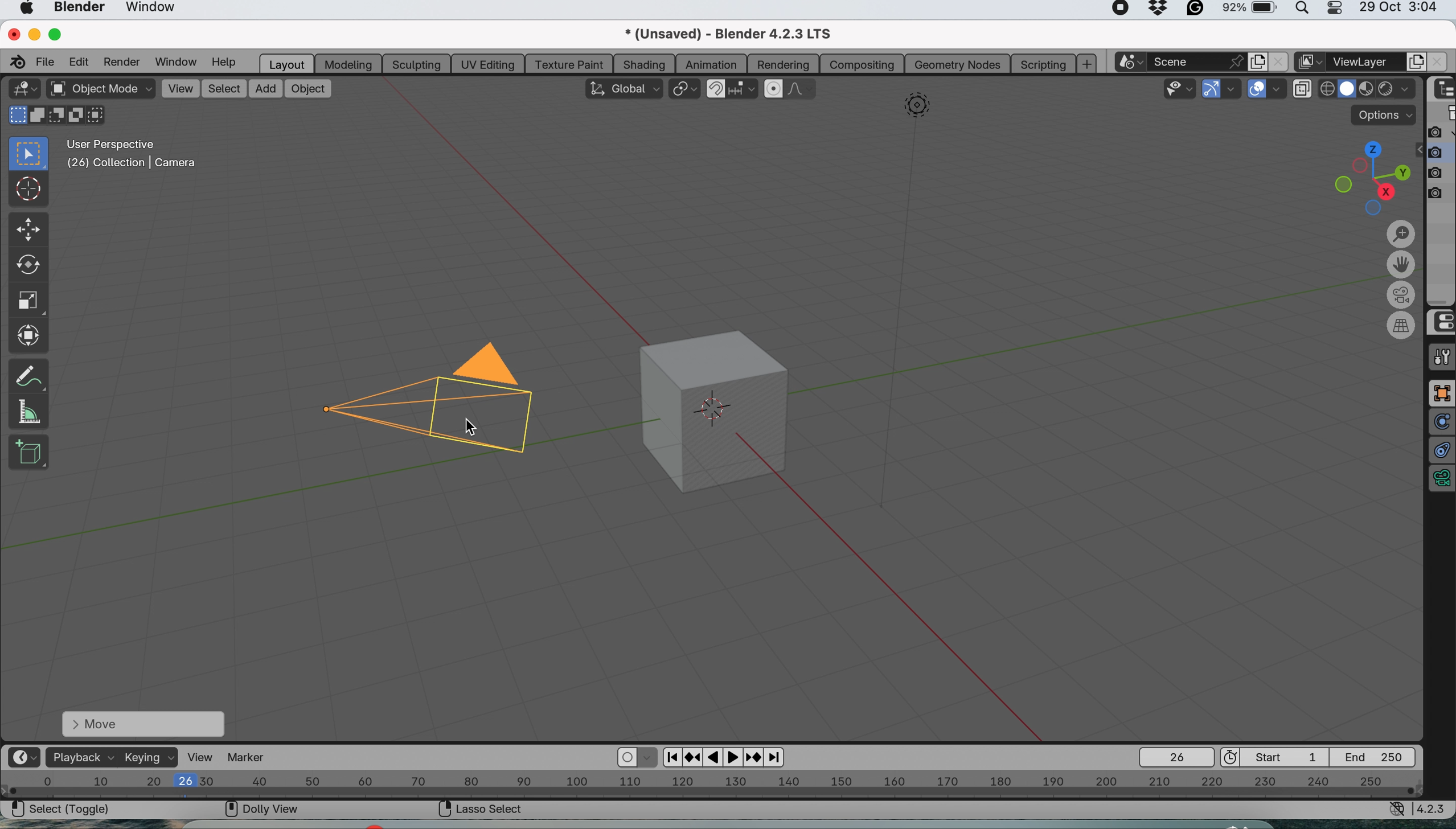 This screenshot has width=1456, height=829. I want to click on help, so click(224, 63).